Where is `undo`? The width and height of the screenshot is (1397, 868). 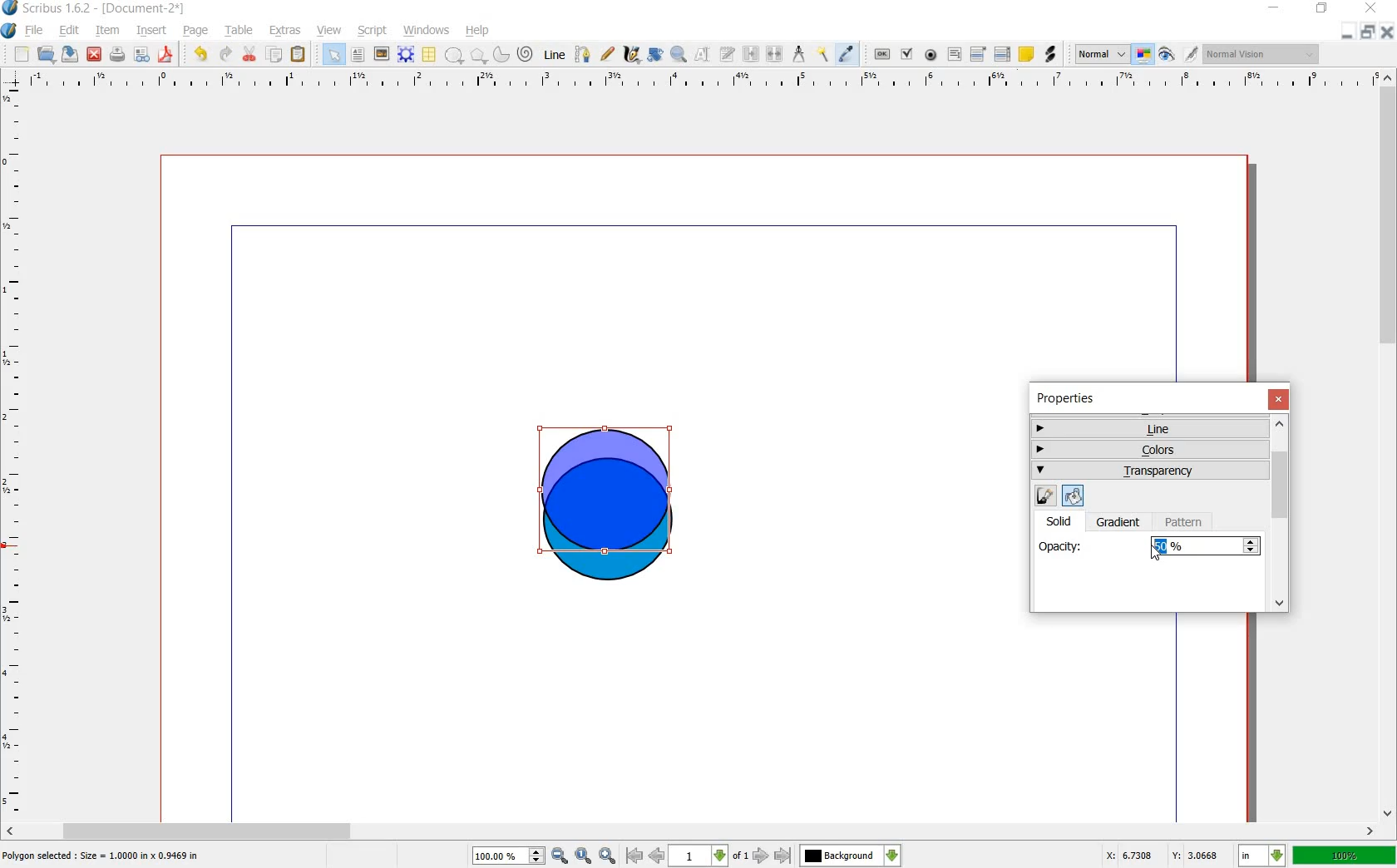 undo is located at coordinates (202, 55).